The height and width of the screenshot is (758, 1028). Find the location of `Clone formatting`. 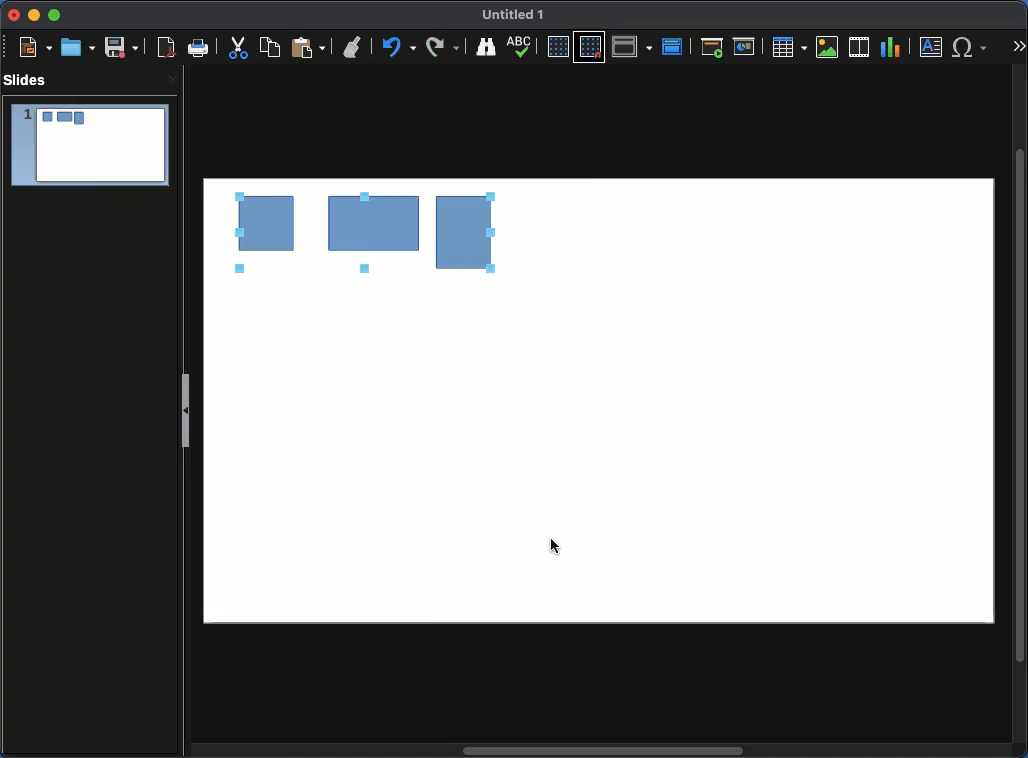

Clone formatting is located at coordinates (354, 48).